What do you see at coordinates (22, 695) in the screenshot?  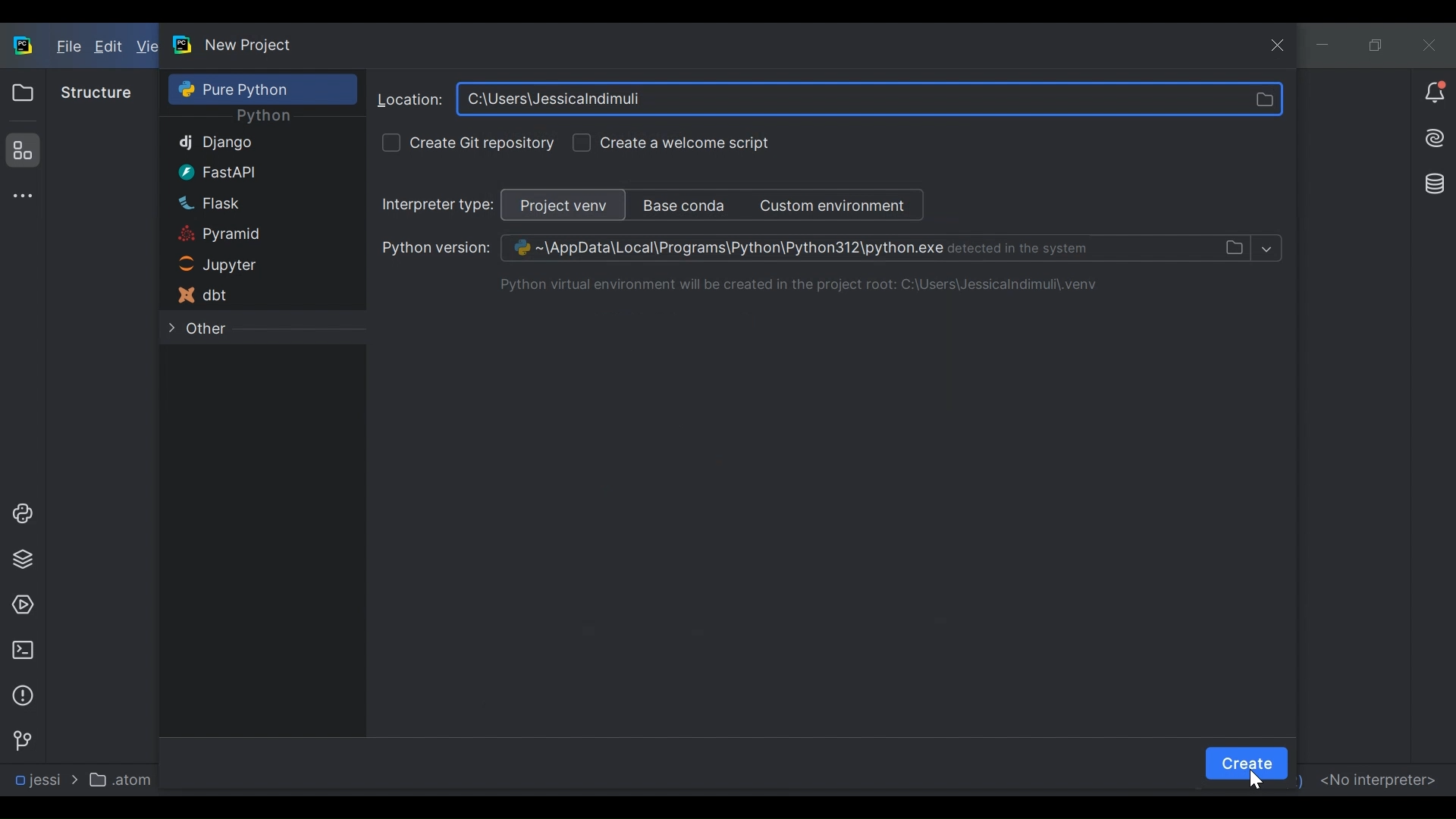 I see `Problem` at bounding box center [22, 695].